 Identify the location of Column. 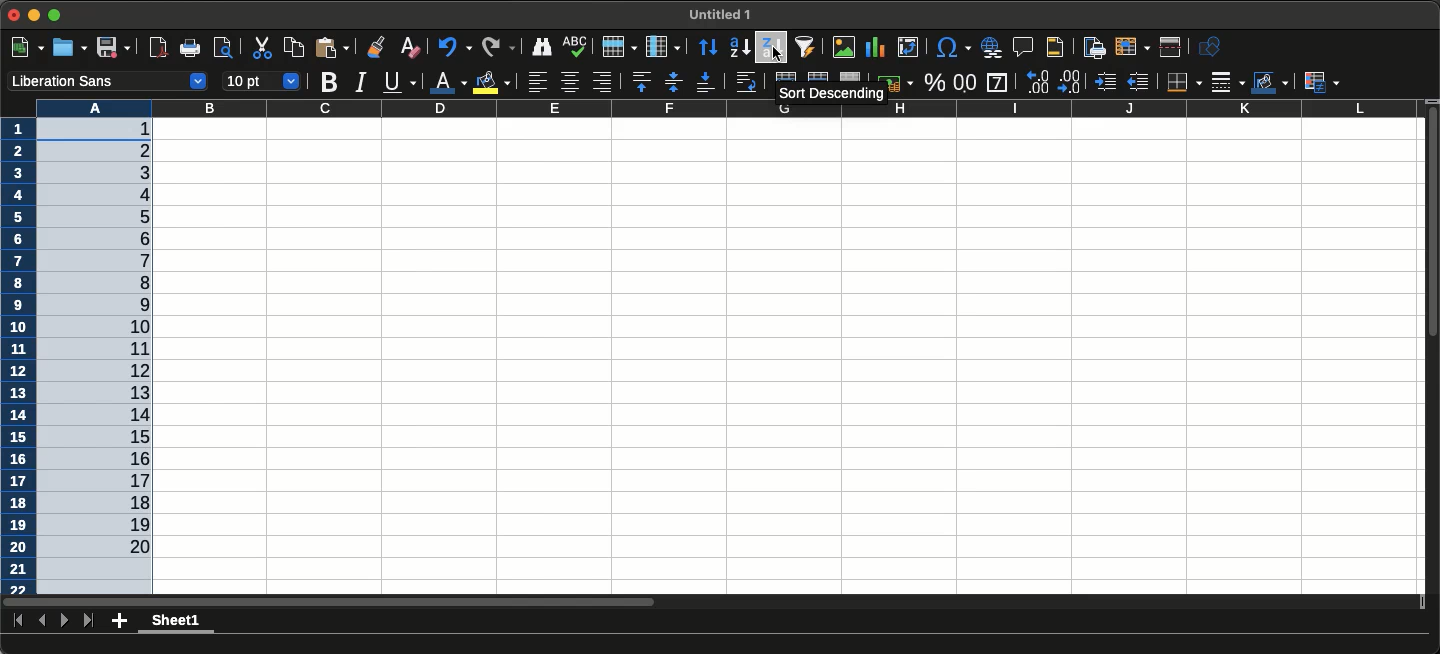
(711, 108).